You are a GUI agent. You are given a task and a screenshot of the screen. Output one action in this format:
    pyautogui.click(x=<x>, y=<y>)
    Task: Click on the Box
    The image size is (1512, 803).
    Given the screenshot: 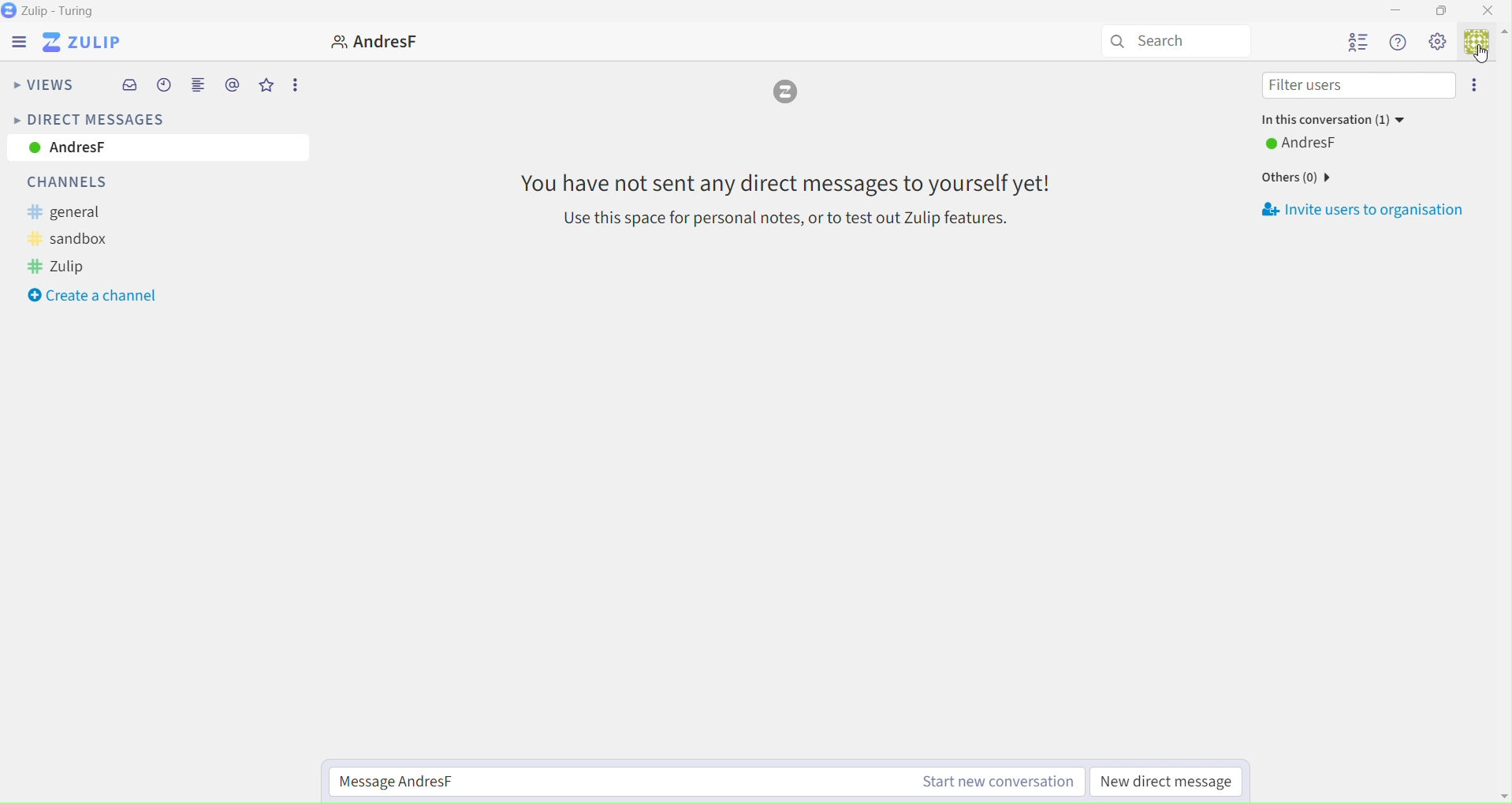 What is the action you would take?
    pyautogui.click(x=1441, y=10)
    